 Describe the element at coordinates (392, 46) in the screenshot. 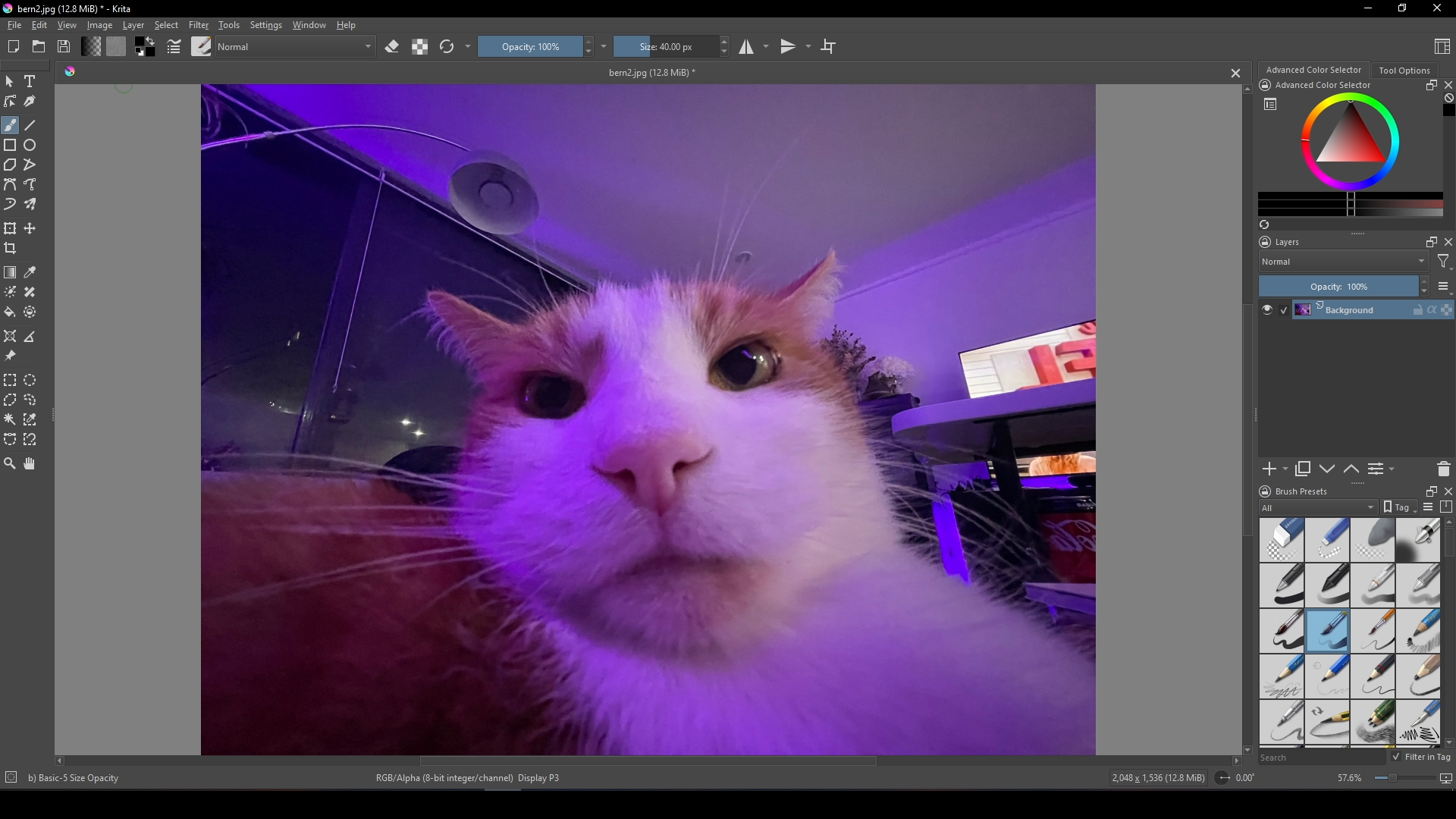

I see `Set eraser` at that location.